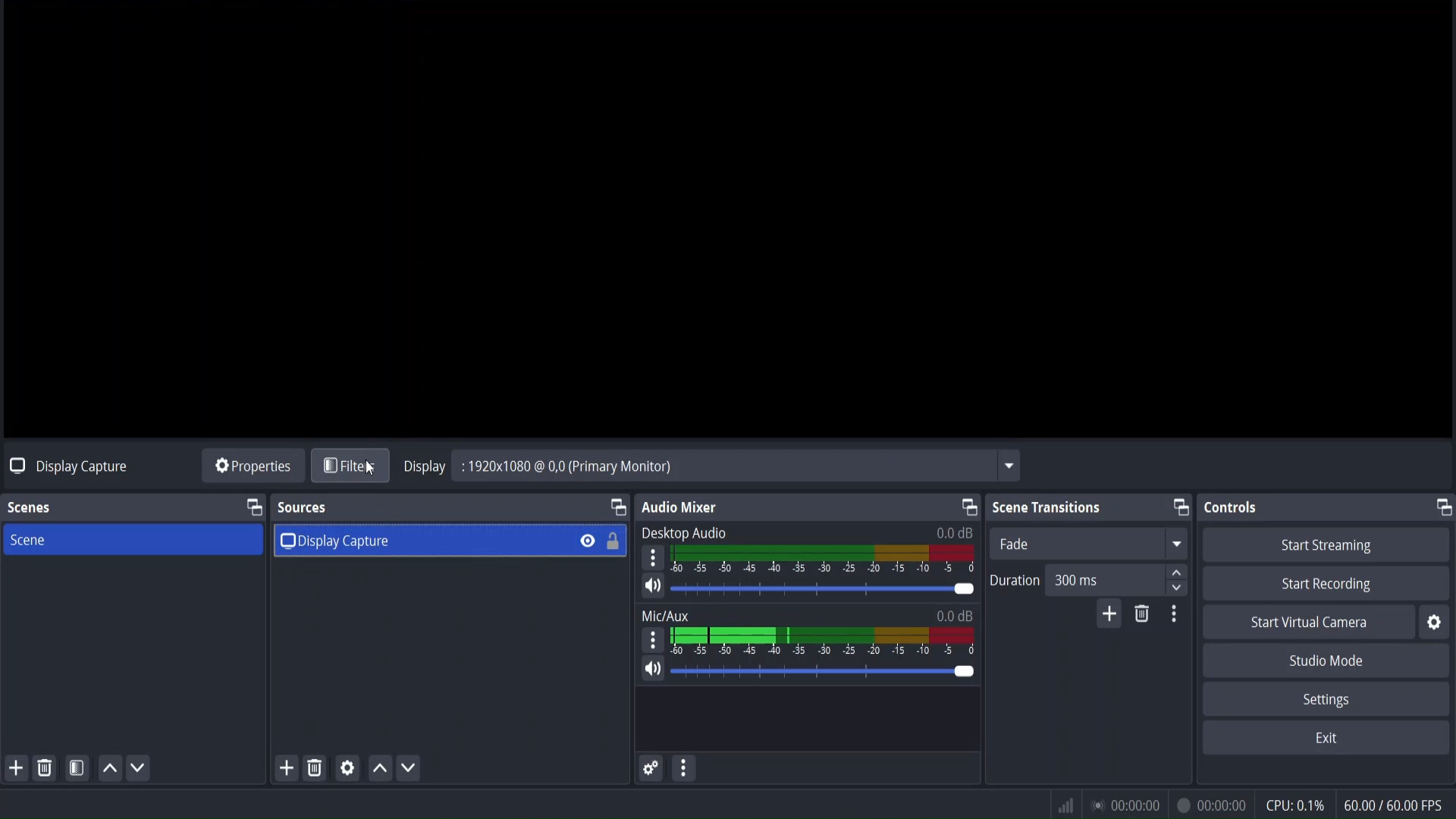 The image size is (1456, 819). Describe the element at coordinates (1175, 613) in the screenshot. I see `transition properties` at that location.